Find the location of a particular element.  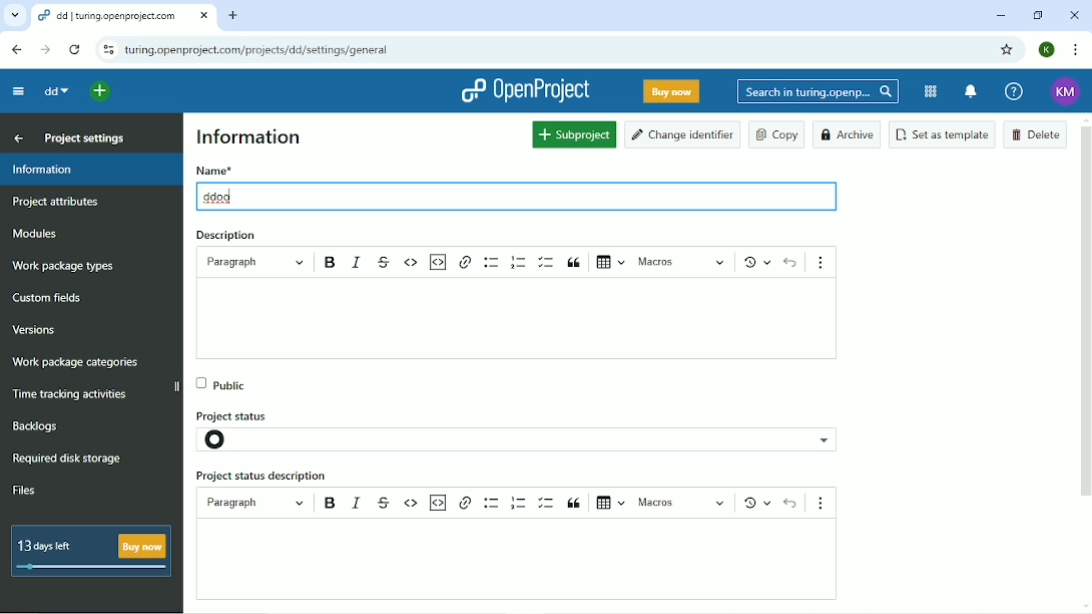

Search tabs is located at coordinates (13, 15).